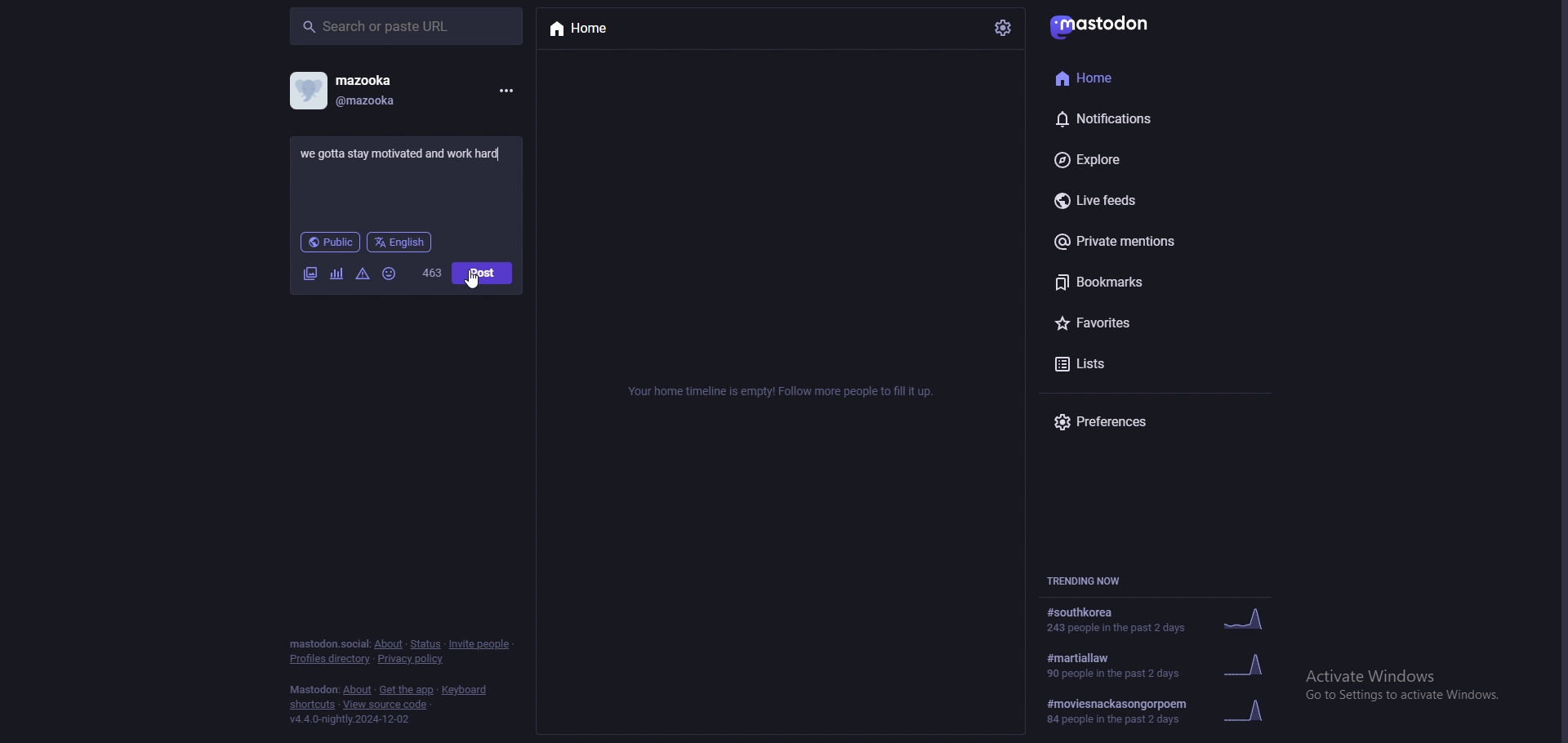  What do you see at coordinates (1170, 709) in the screenshot?
I see `#moviesnackasongorpoem` at bounding box center [1170, 709].